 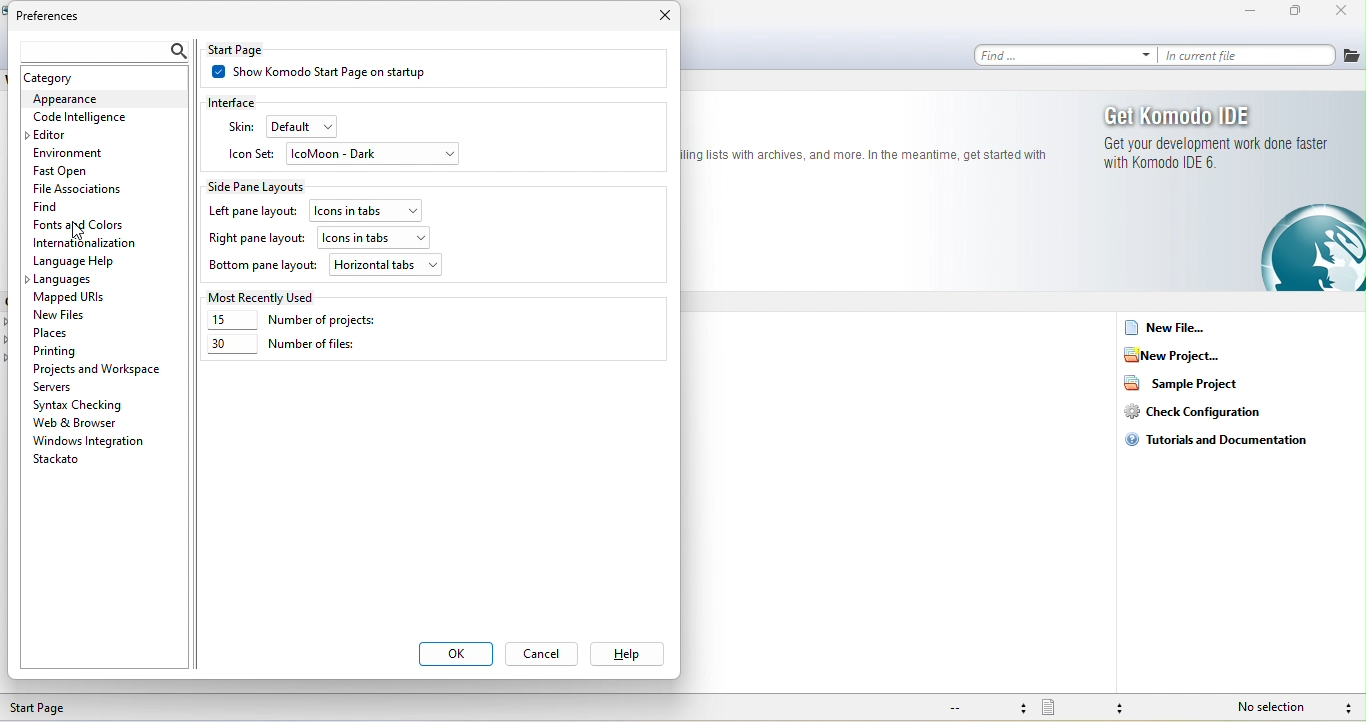 I want to click on icon set, so click(x=251, y=154).